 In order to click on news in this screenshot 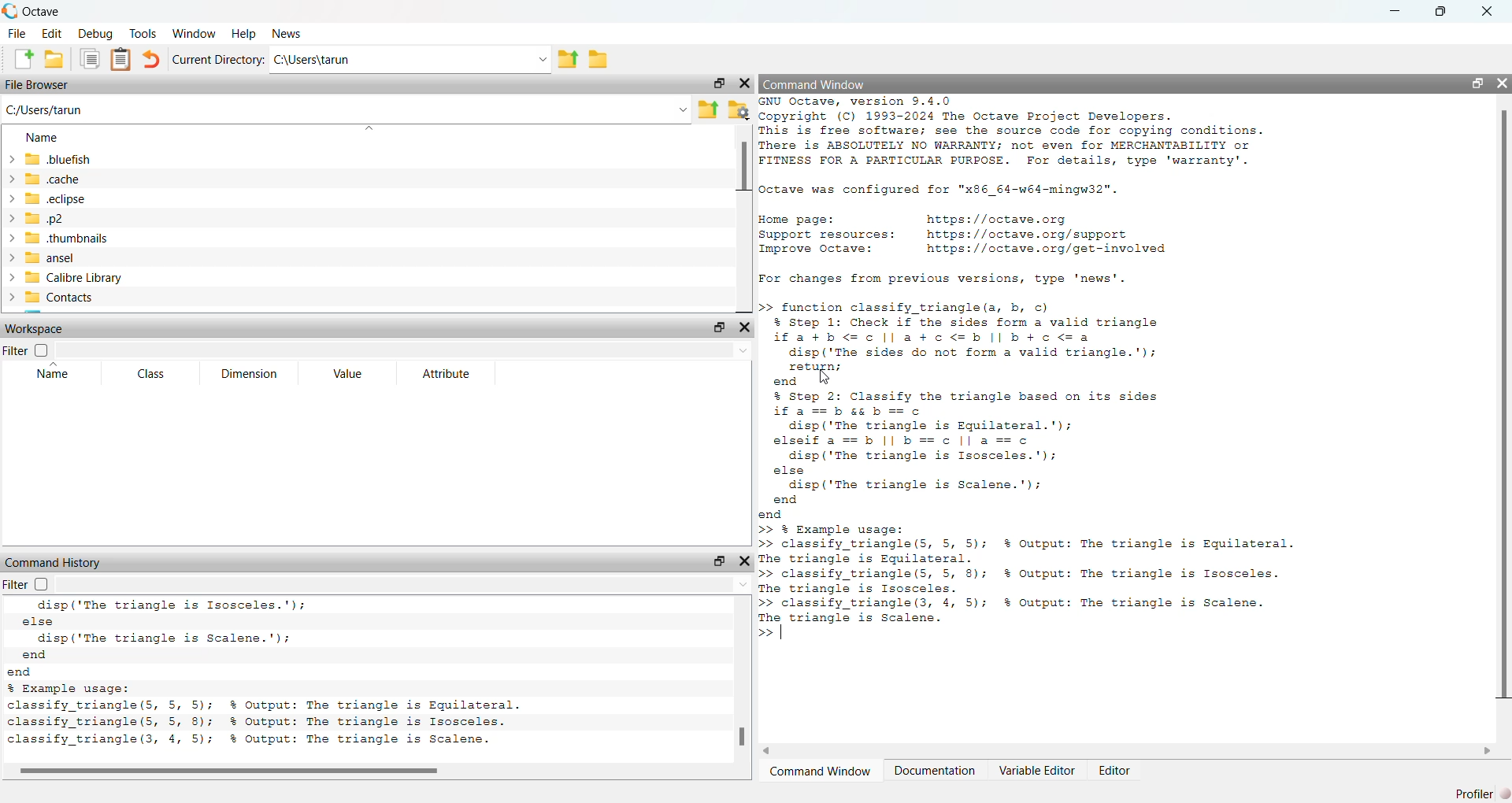, I will do `click(291, 34)`.